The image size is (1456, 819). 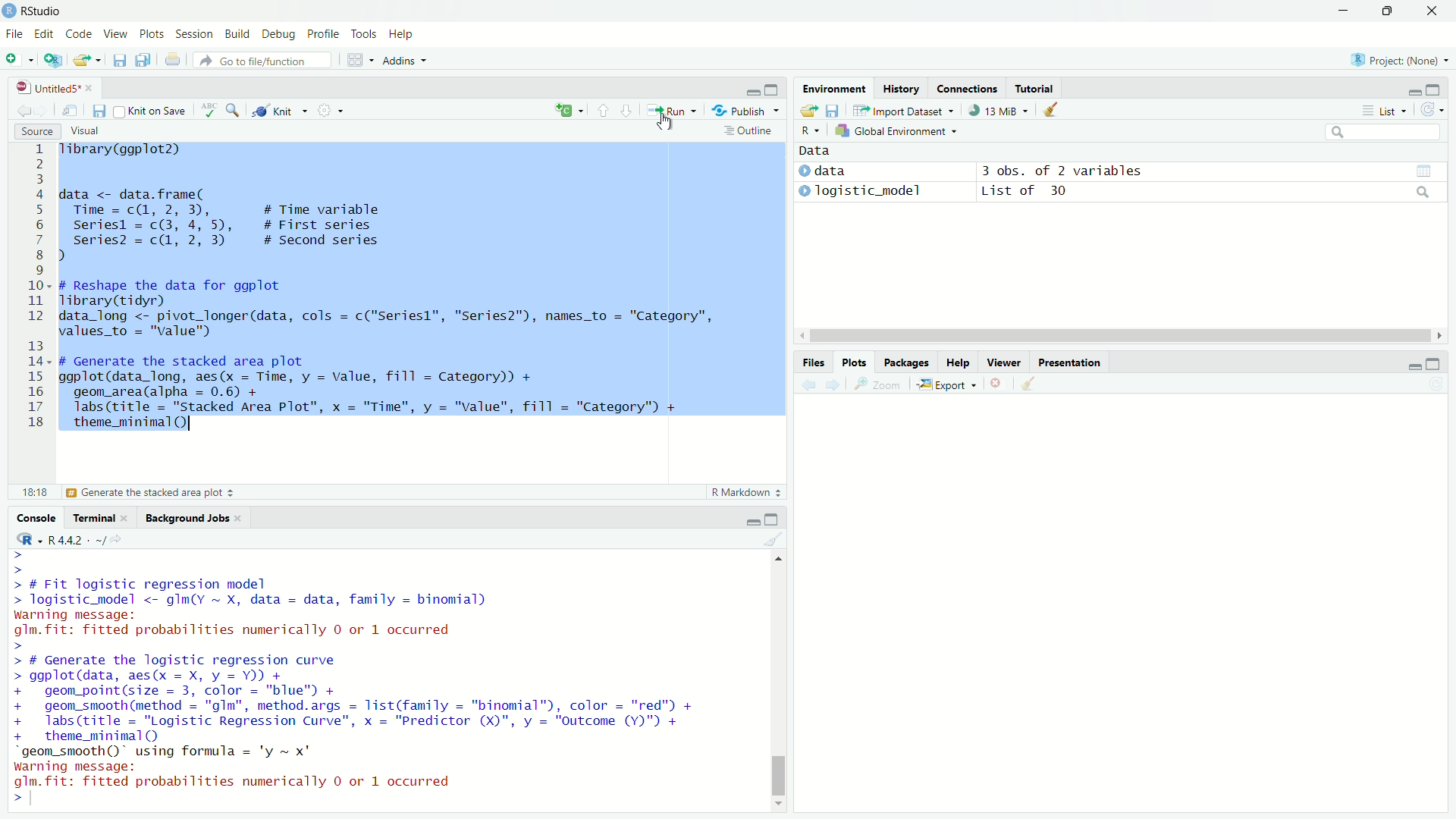 What do you see at coordinates (56, 61) in the screenshot?
I see `add script` at bounding box center [56, 61].